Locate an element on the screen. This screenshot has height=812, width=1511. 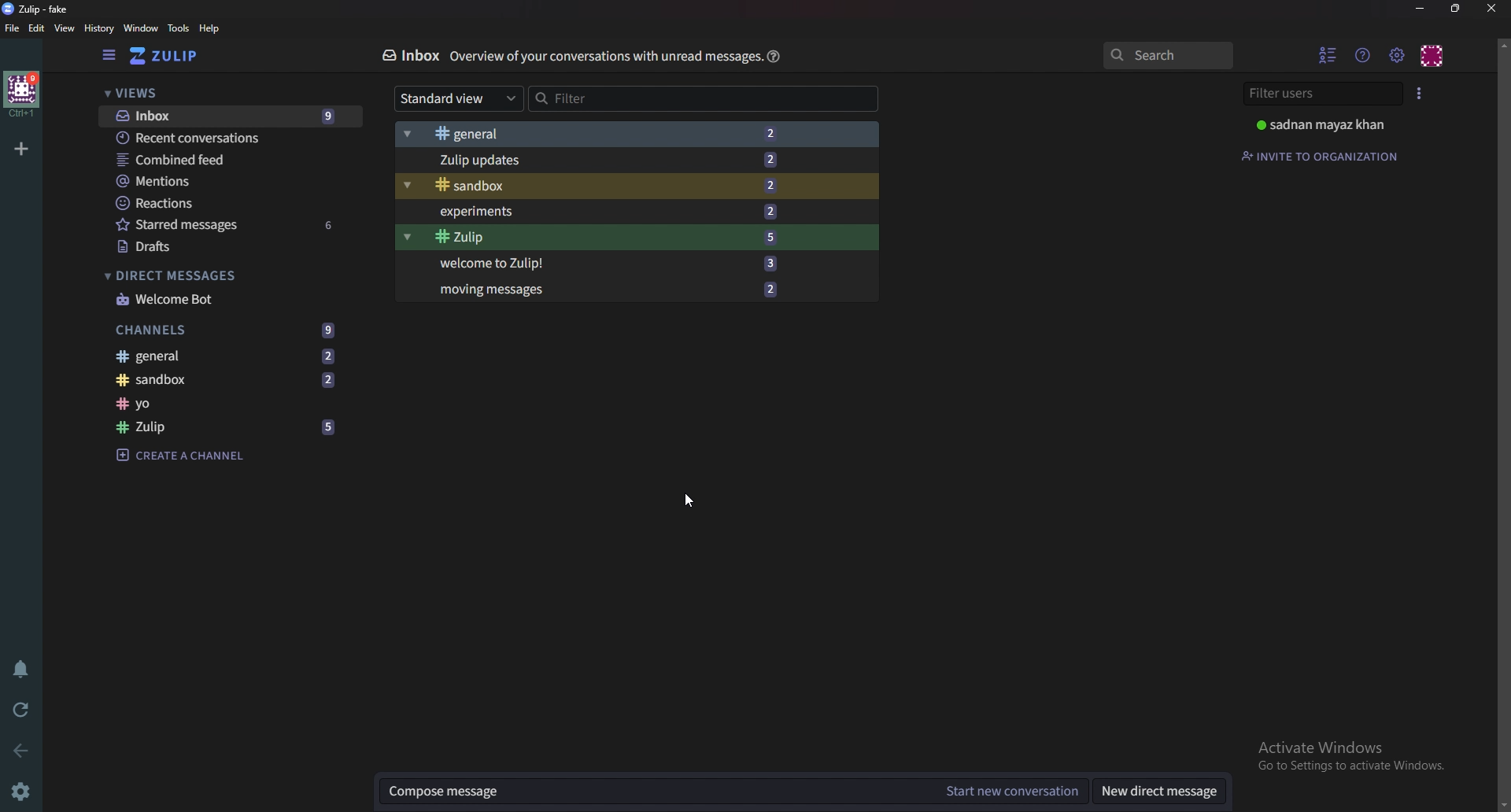
Invite to organization is located at coordinates (1324, 153).